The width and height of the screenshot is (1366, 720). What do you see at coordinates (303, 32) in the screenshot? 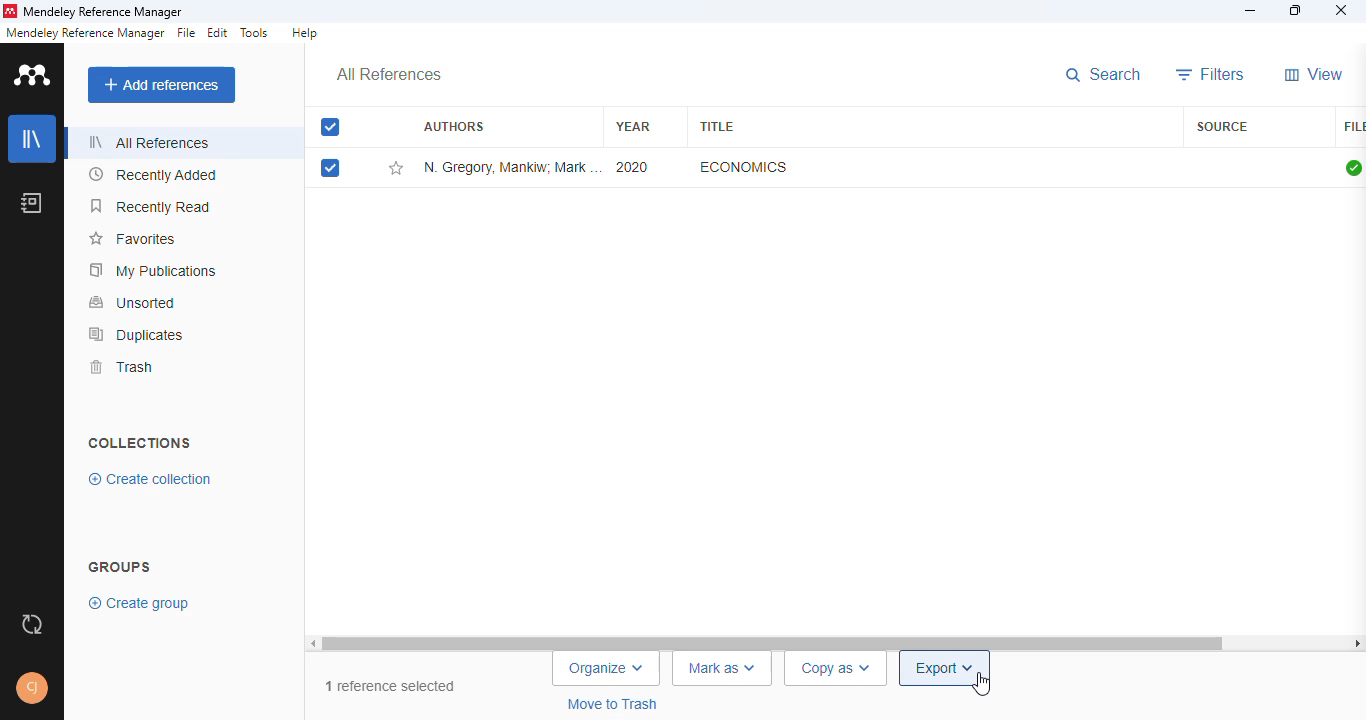
I see `help` at bounding box center [303, 32].